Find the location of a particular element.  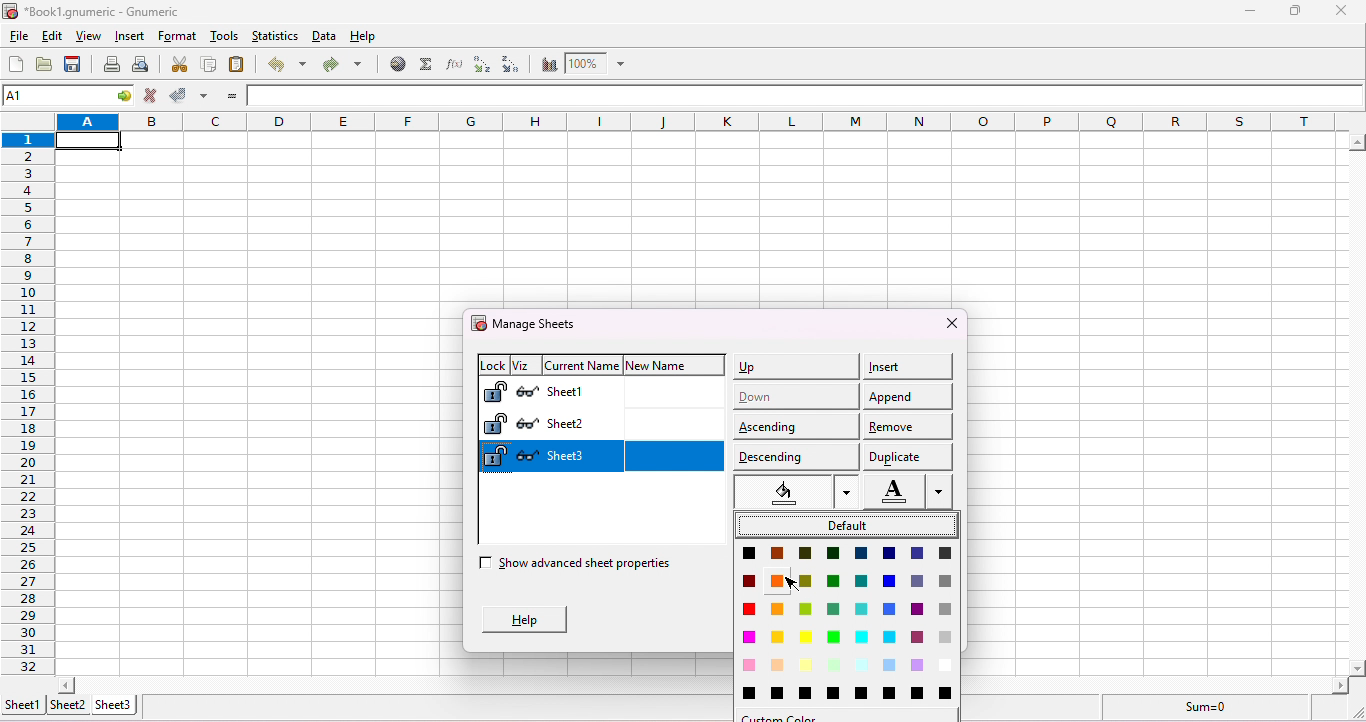

hyperlink is located at coordinates (395, 65).